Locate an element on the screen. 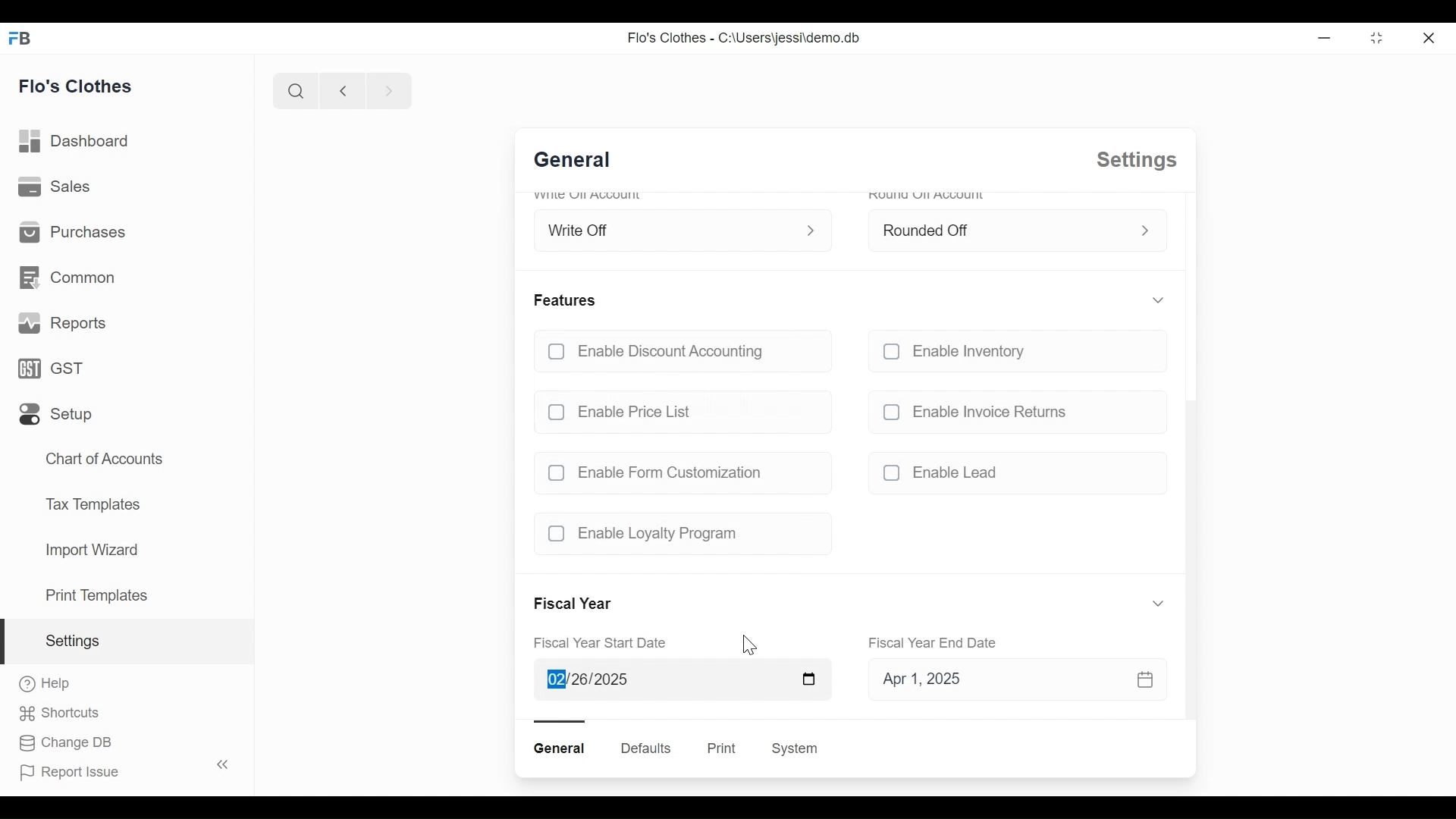  Features is located at coordinates (567, 300).